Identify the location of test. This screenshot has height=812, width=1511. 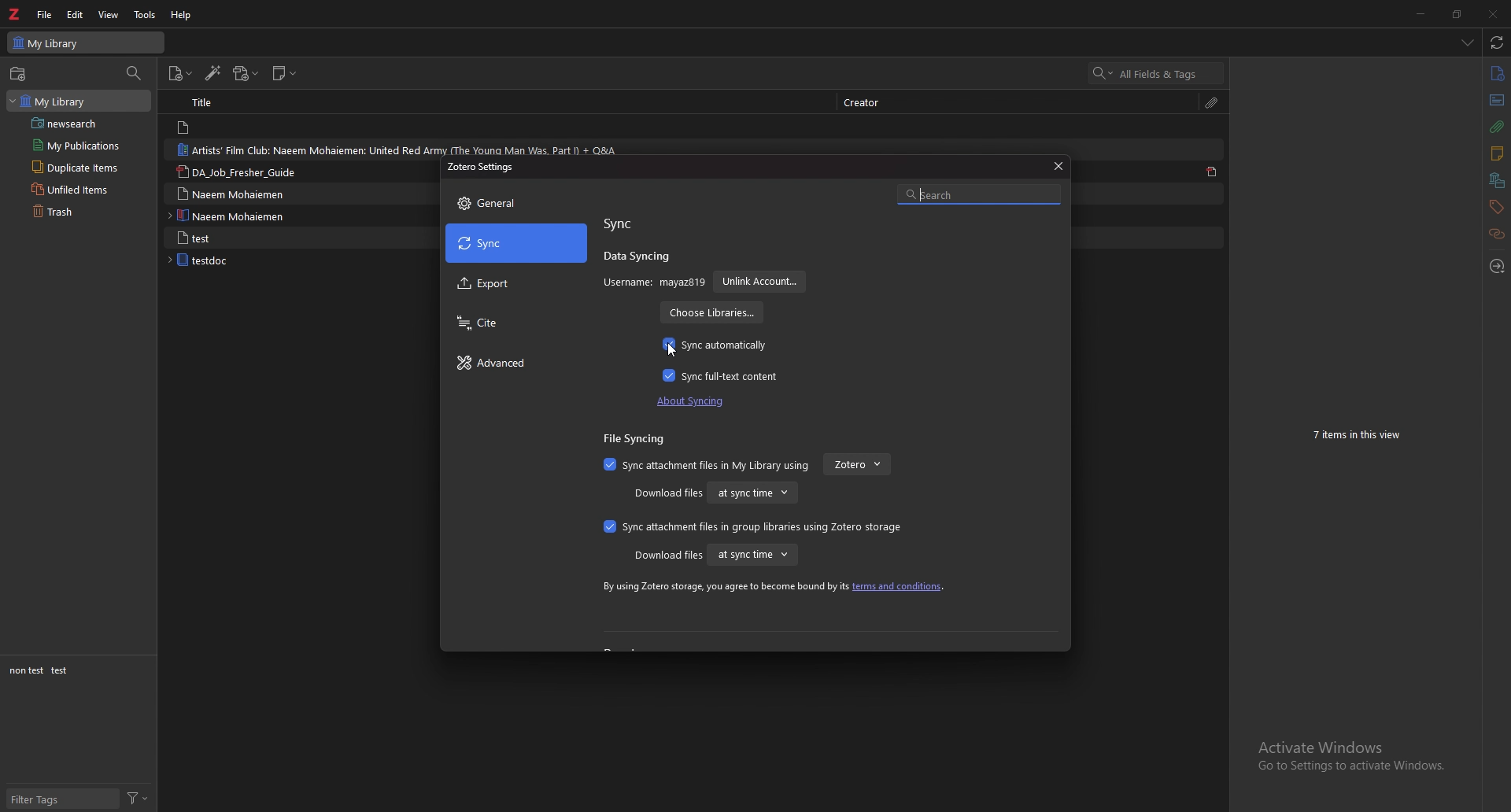
(61, 670).